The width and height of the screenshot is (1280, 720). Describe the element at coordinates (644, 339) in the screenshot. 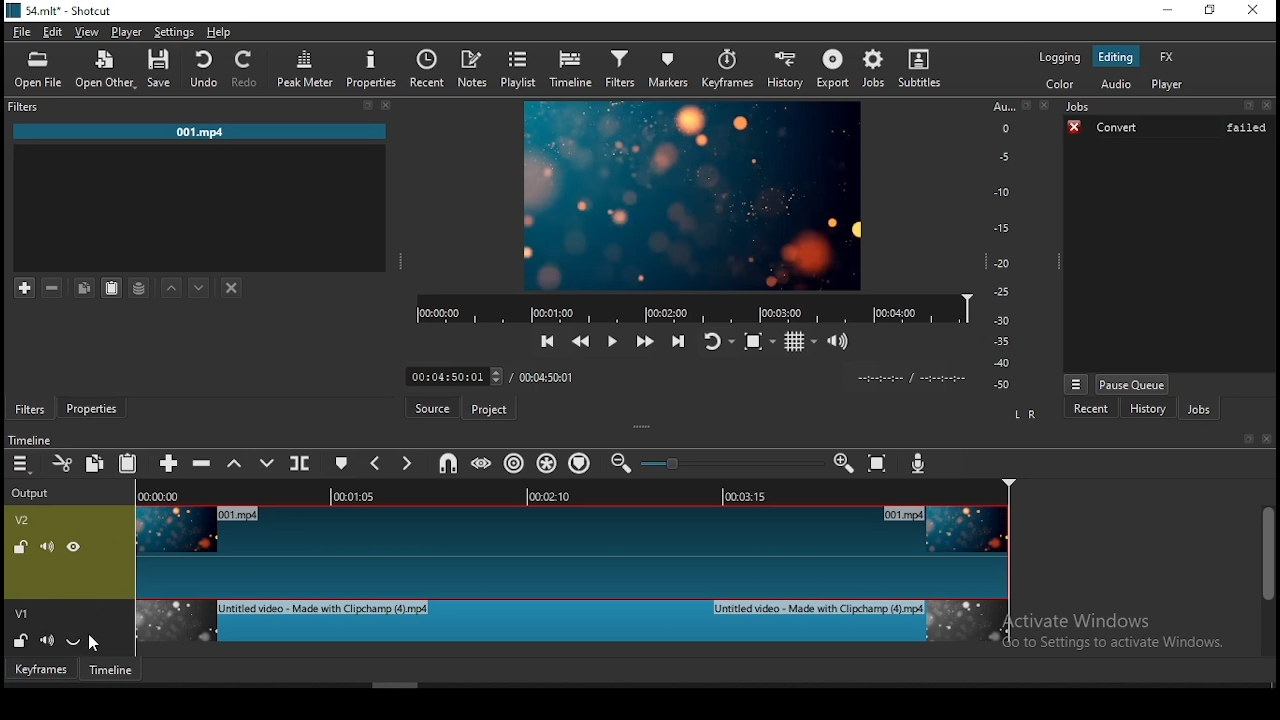

I see `play quickly forwards` at that location.